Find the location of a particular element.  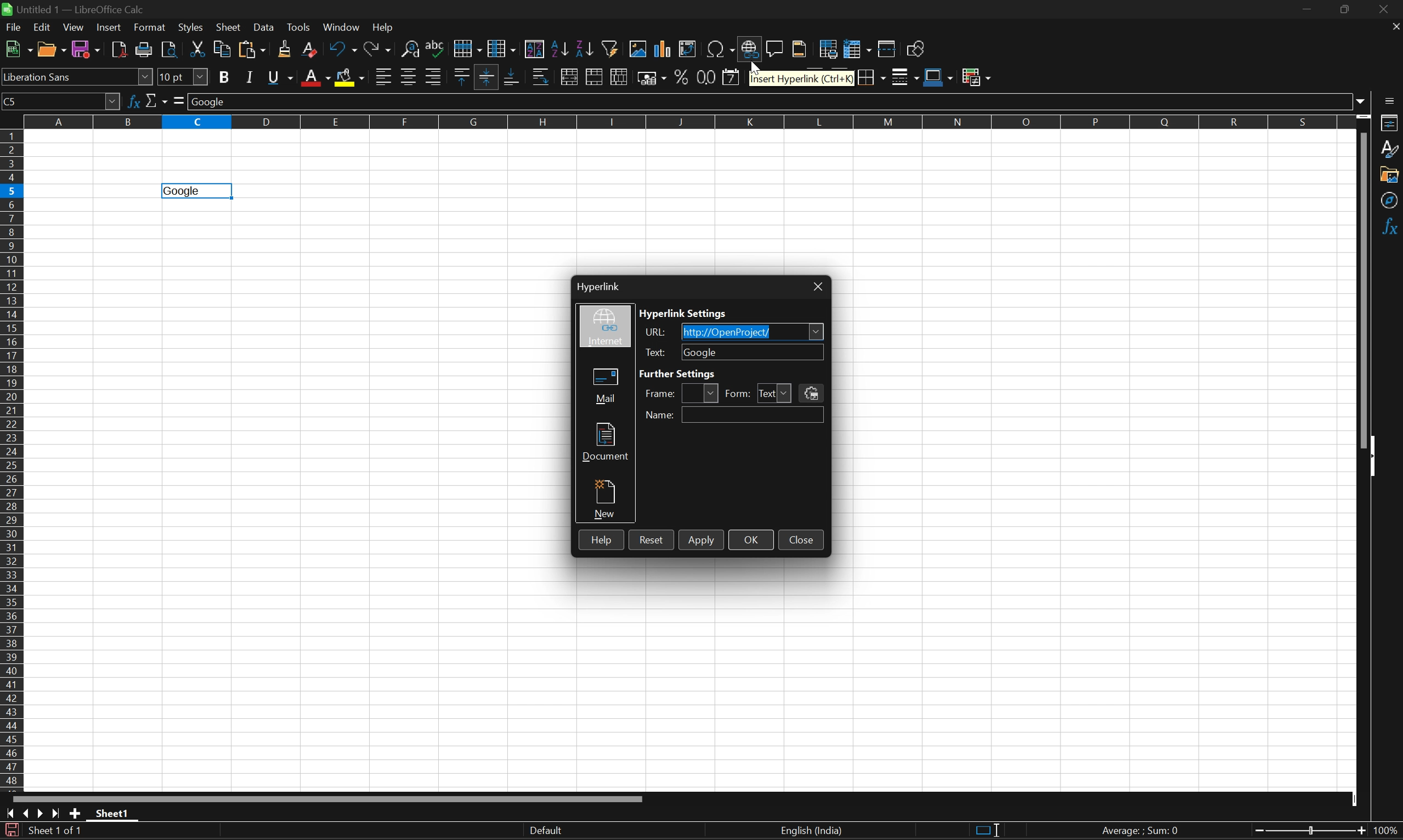

New is located at coordinates (18, 49).